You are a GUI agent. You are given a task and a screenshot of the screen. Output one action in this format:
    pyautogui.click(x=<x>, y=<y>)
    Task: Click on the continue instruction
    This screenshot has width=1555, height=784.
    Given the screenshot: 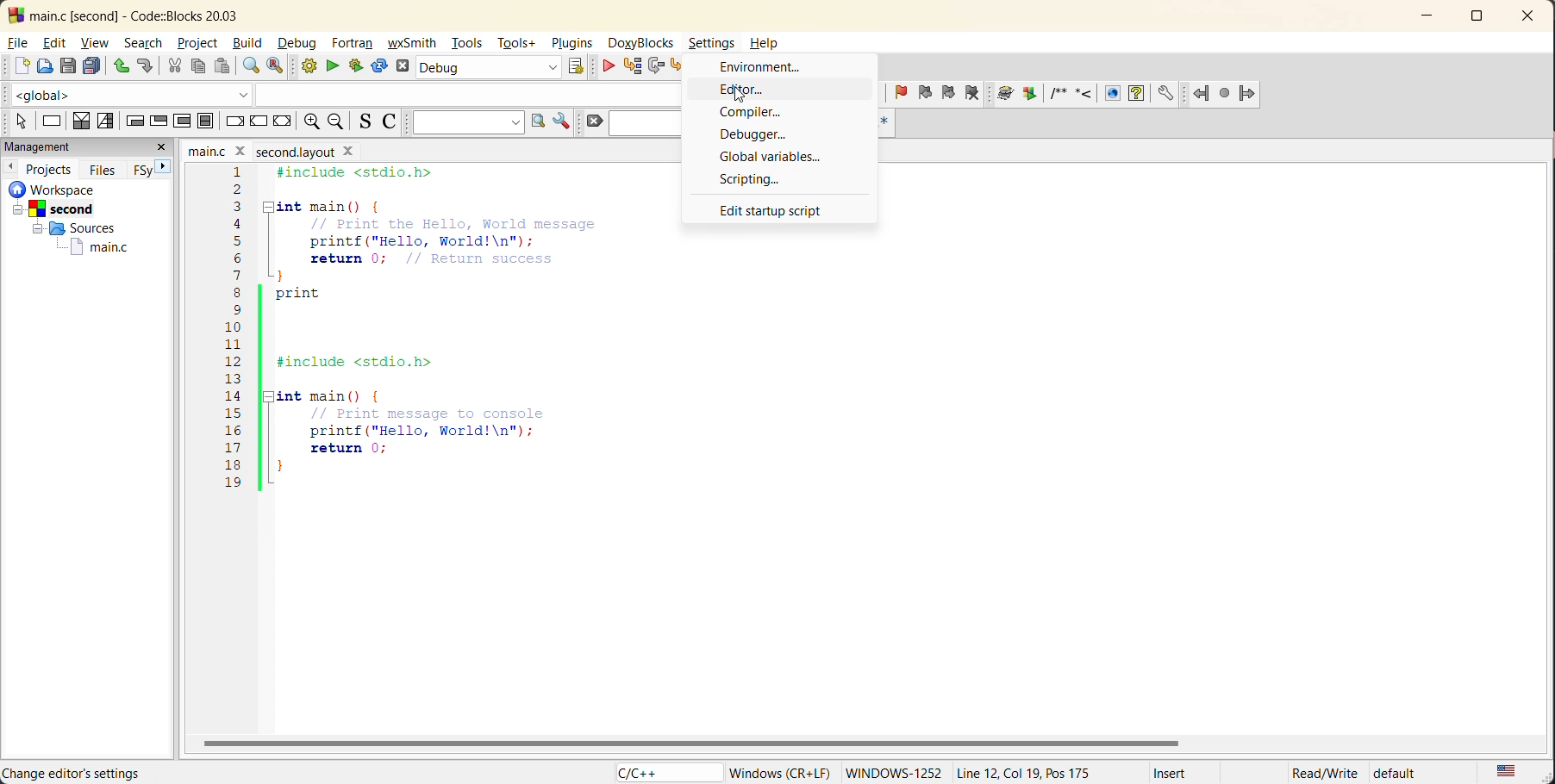 What is the action you would take?
    pyautogui.click(x=259, y=121)
    